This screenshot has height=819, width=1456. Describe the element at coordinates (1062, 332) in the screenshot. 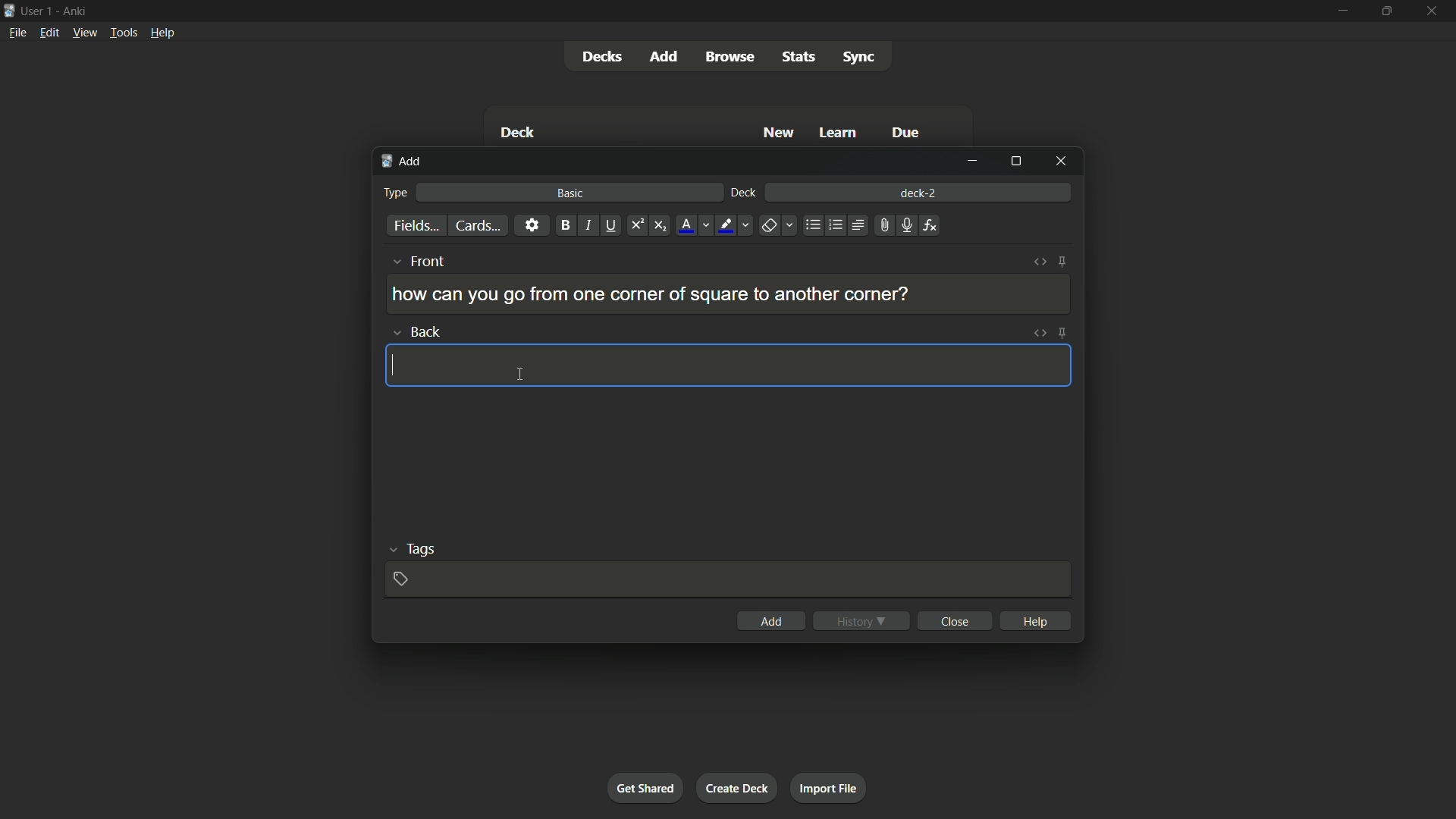

I see `toggle sticky` at that location.